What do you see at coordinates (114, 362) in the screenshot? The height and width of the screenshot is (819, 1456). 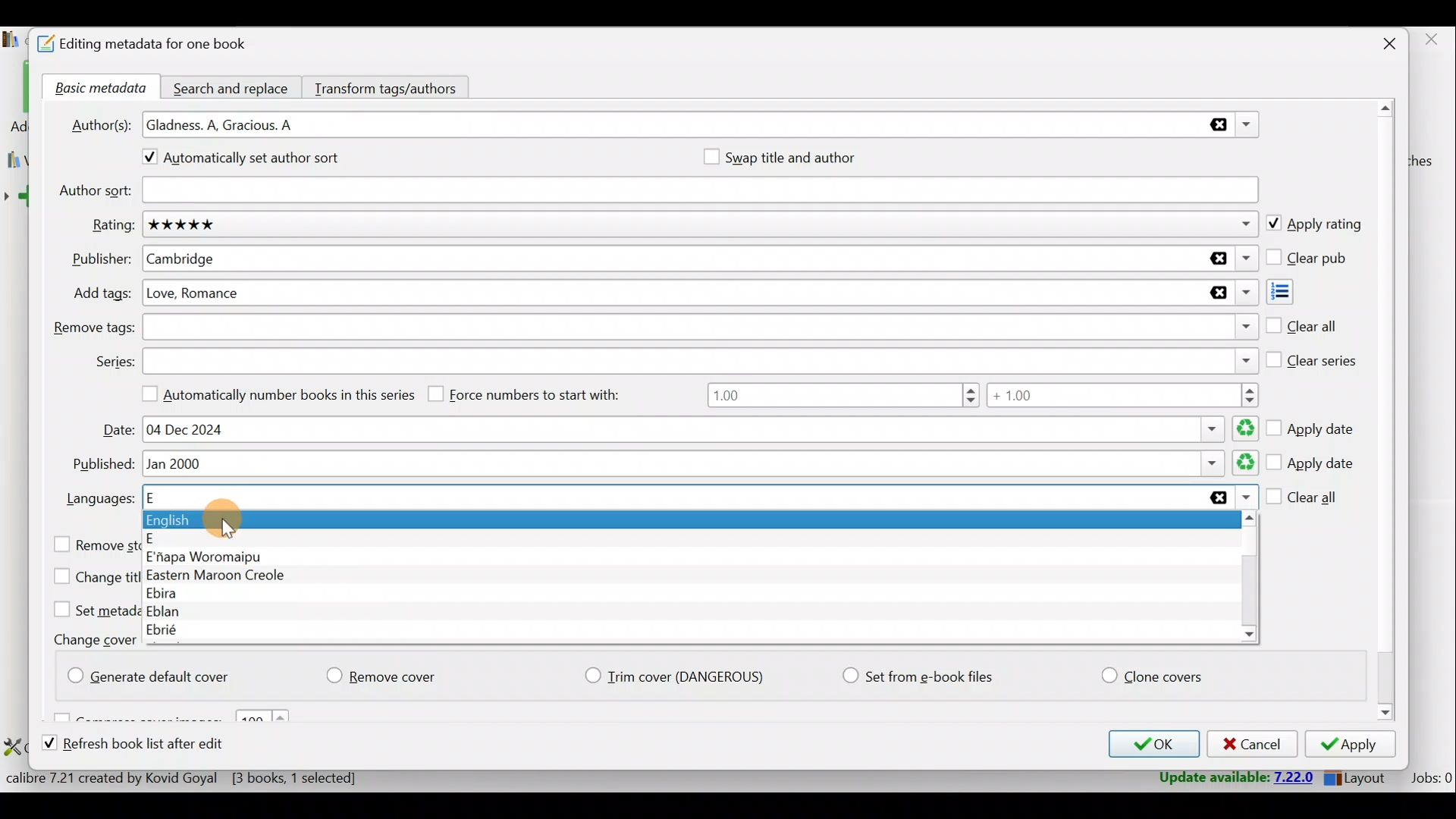 I see `Series:` at bounding box center [114, 362].